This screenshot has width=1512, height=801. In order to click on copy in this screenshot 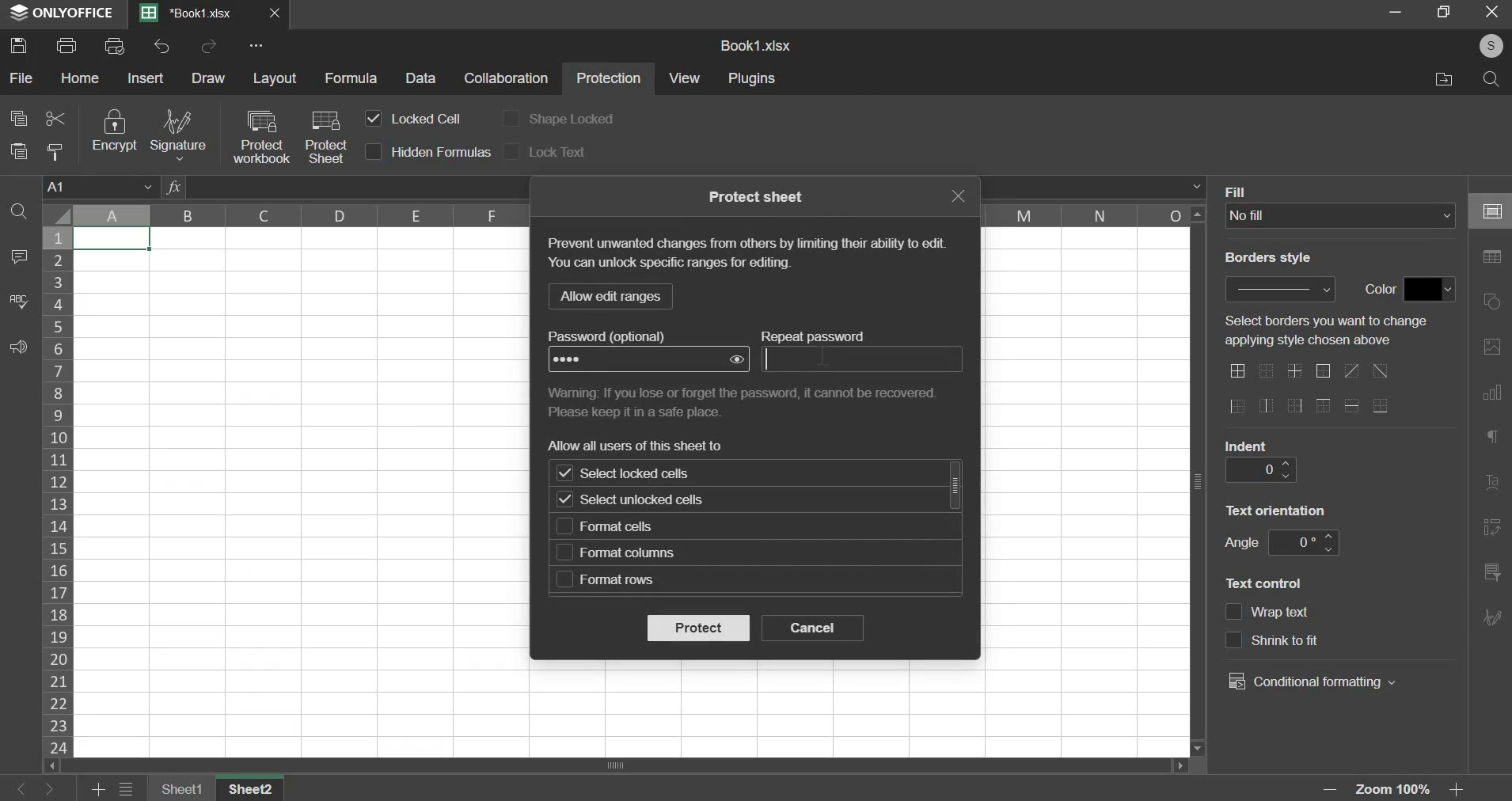, I will do `click(18, 117)`.